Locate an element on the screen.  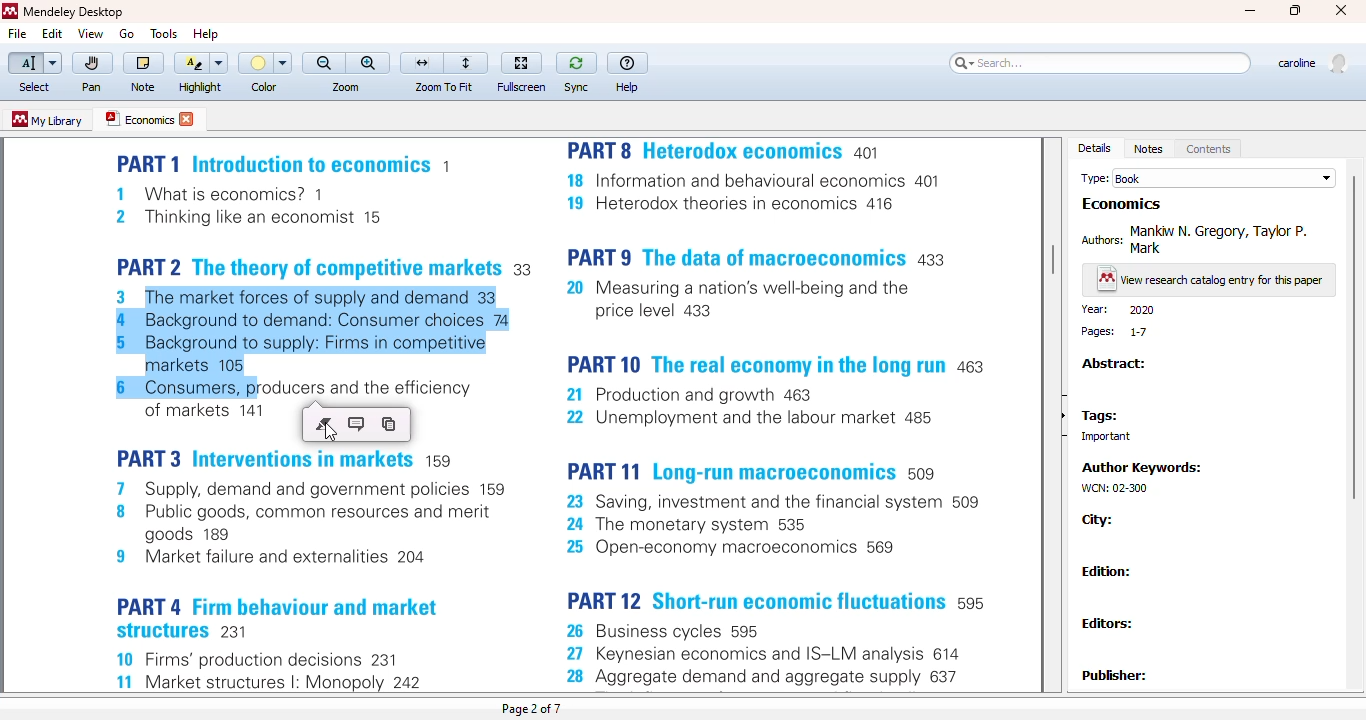
vertical scroll bar is located at coordinates (1351, 337).